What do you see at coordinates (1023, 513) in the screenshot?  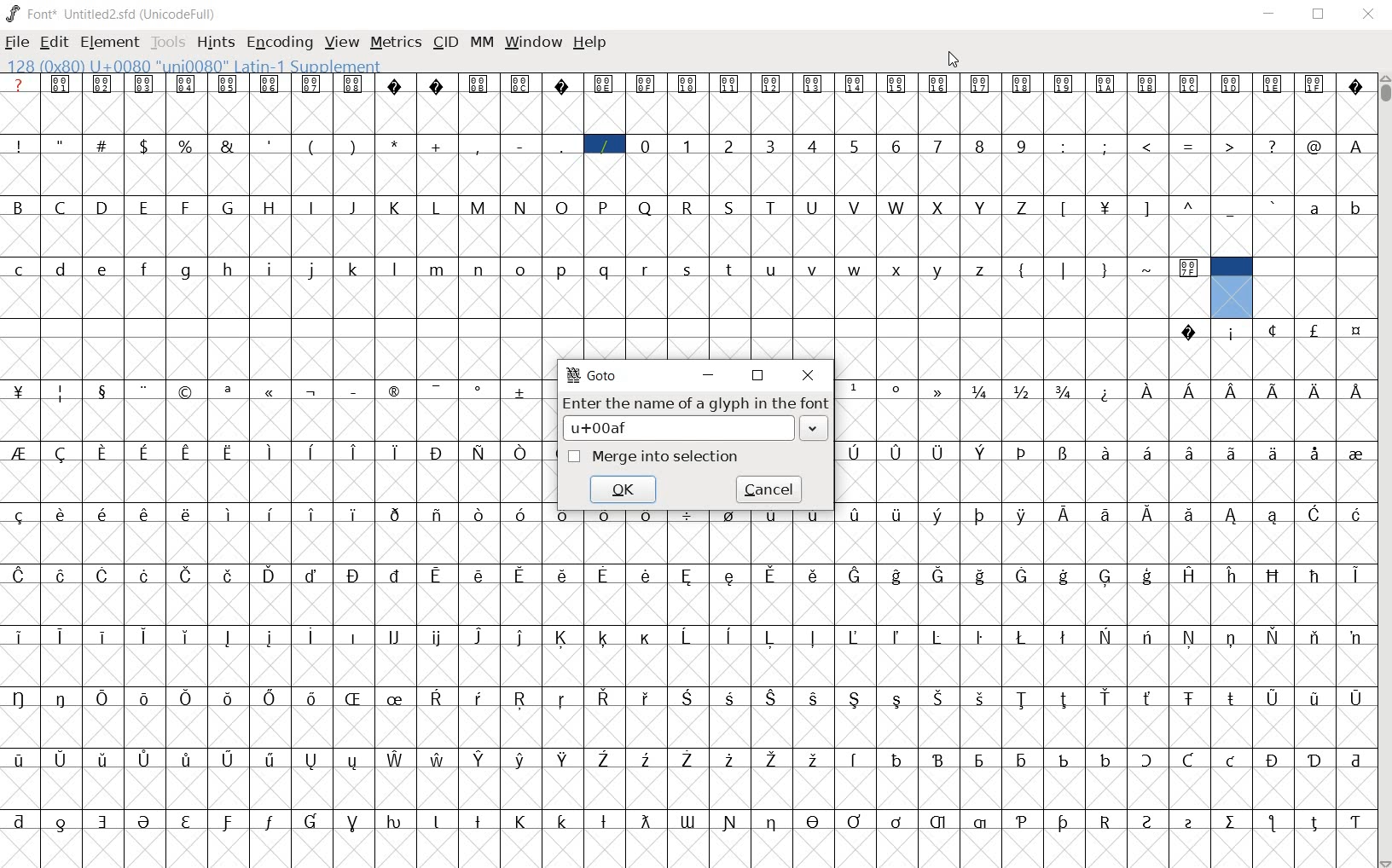 I see `Symbol` at bounding box center [1023, 513].